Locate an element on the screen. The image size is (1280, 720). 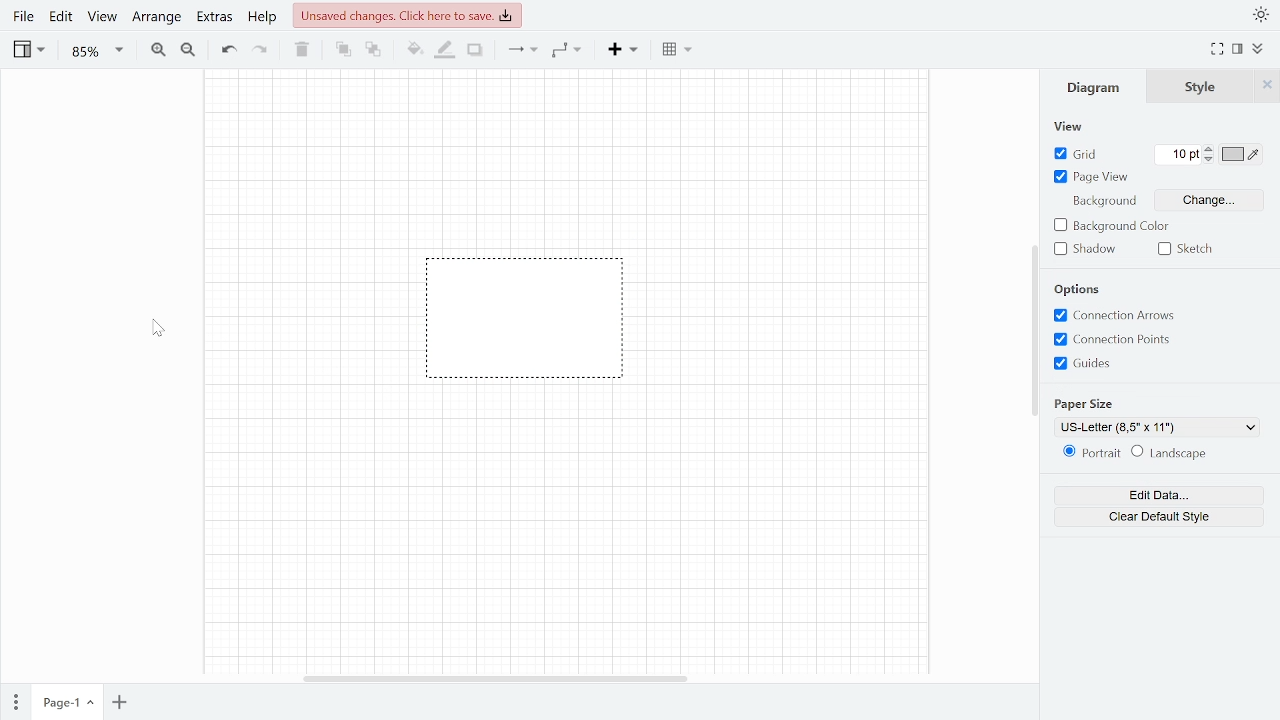
Arrange is located at coordinates (154, 18).